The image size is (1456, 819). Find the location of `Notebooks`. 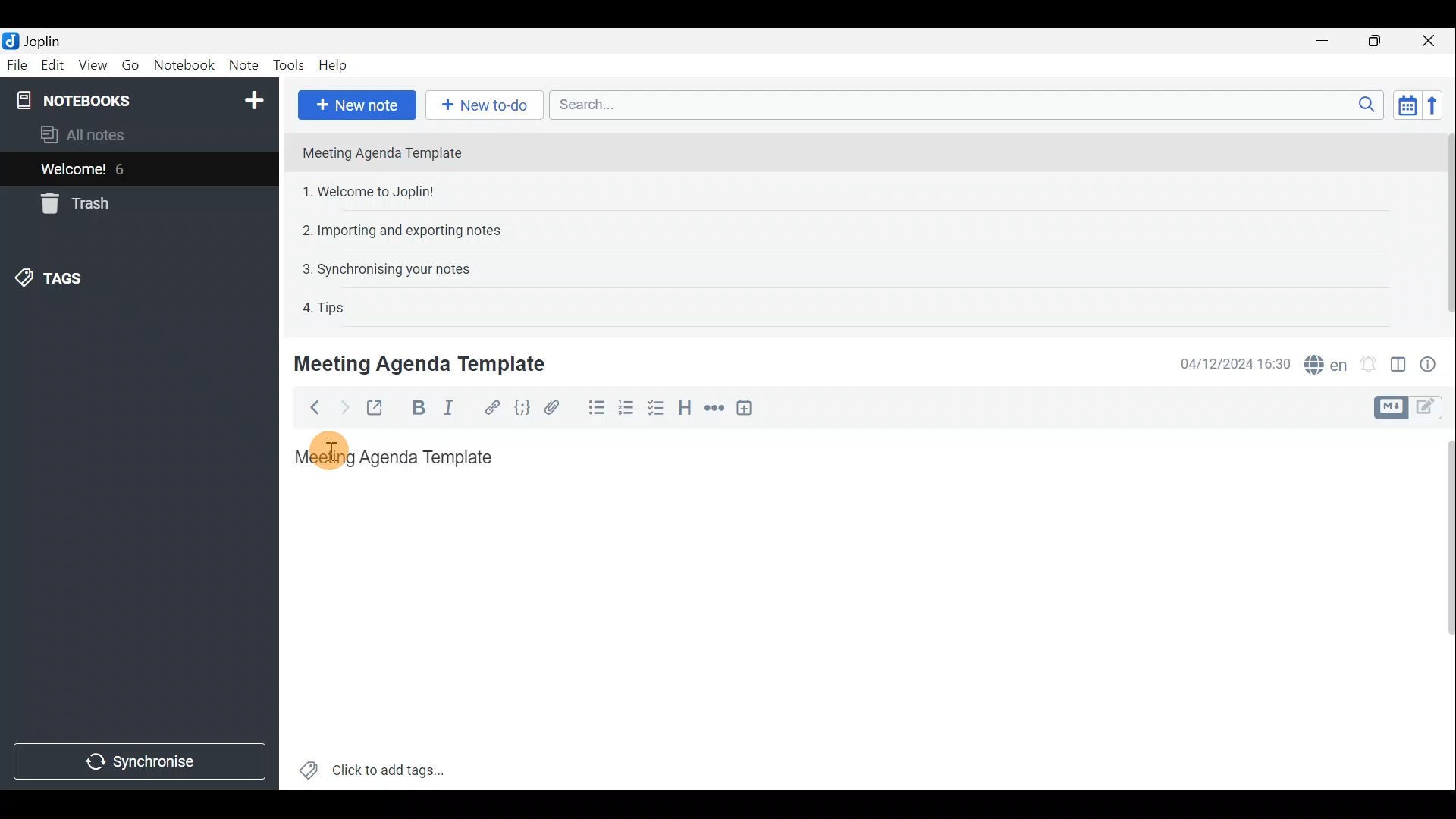

Notebooks is located at coordinates (142, 99).